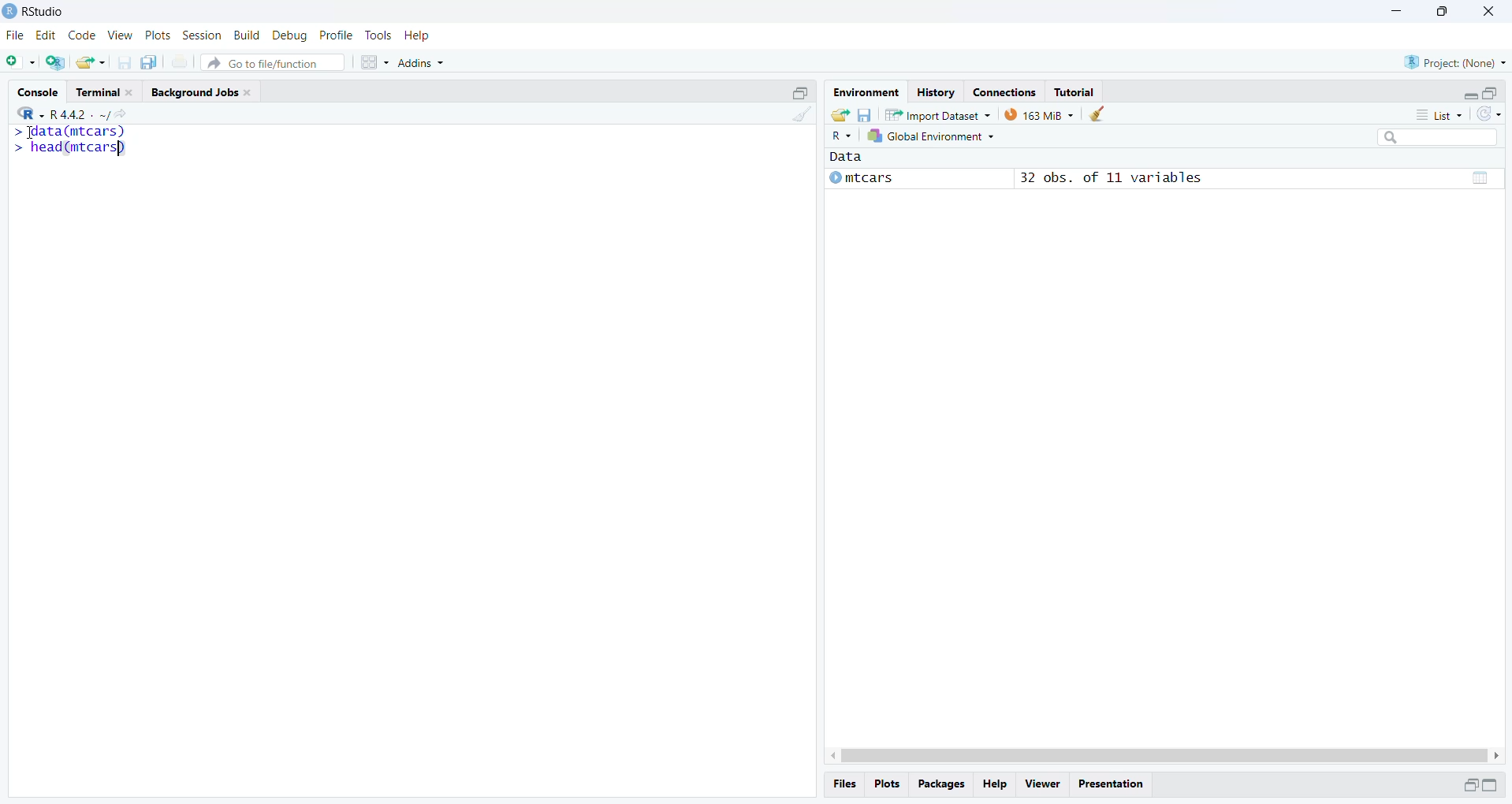  Describe the element at coordinates (337, 35) in the screenshot. I see `profile` at that location.